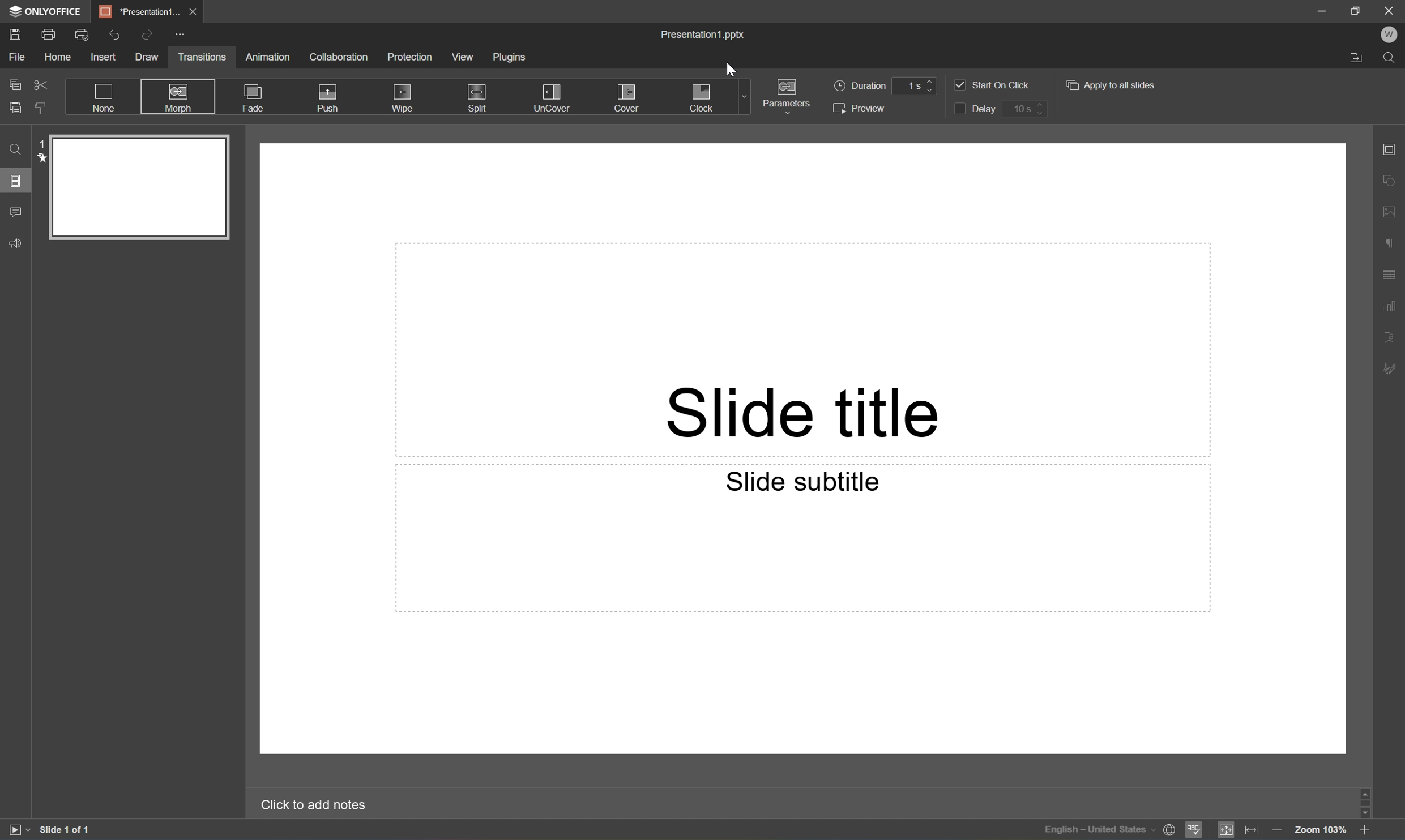 The image size is (1405, 840). Describe the element at coordinates (973, 110) in the screenshot. I see `Delay` at that location.